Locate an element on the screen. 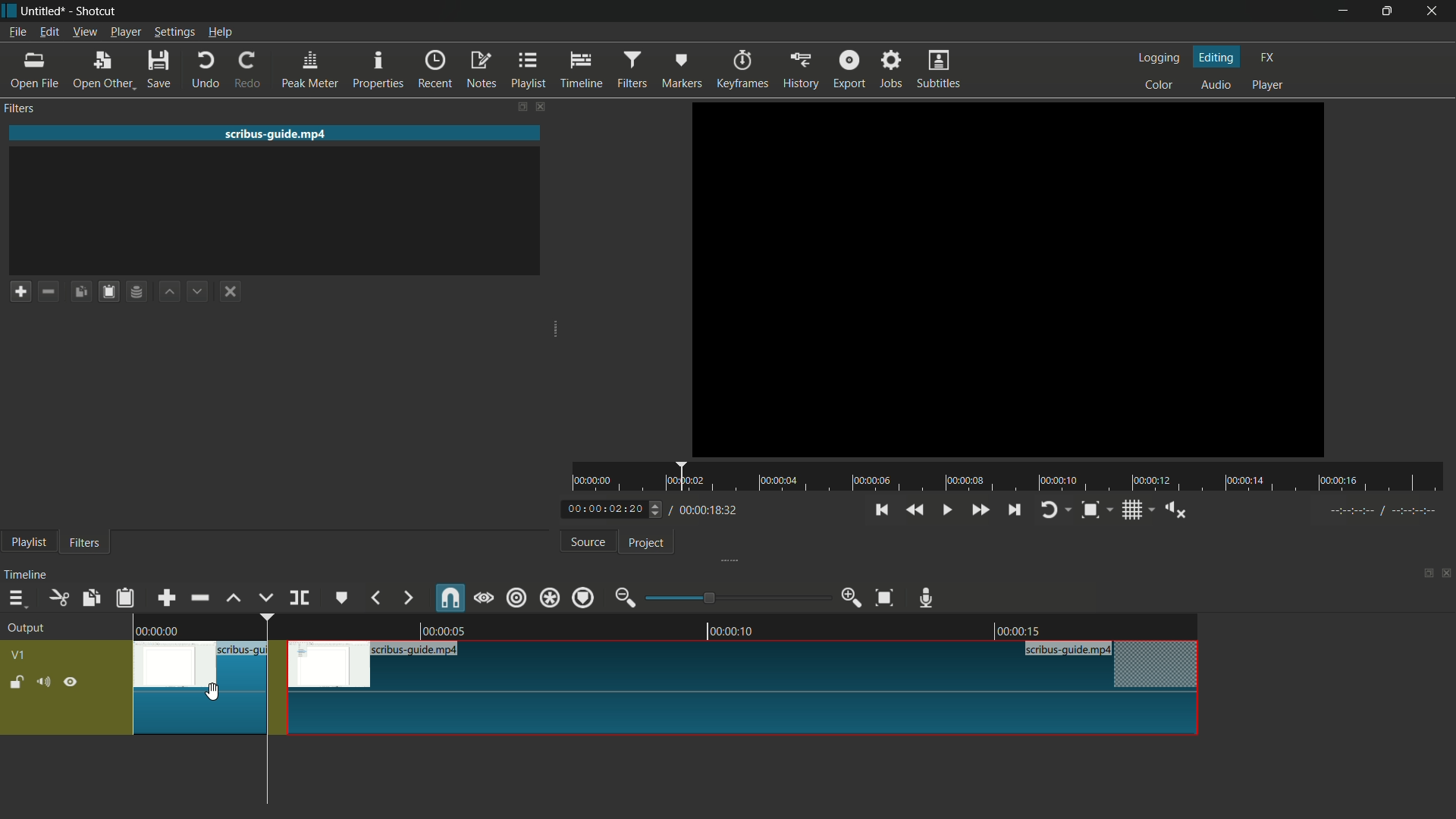  ripple markers is located at coordinates (584, 597).